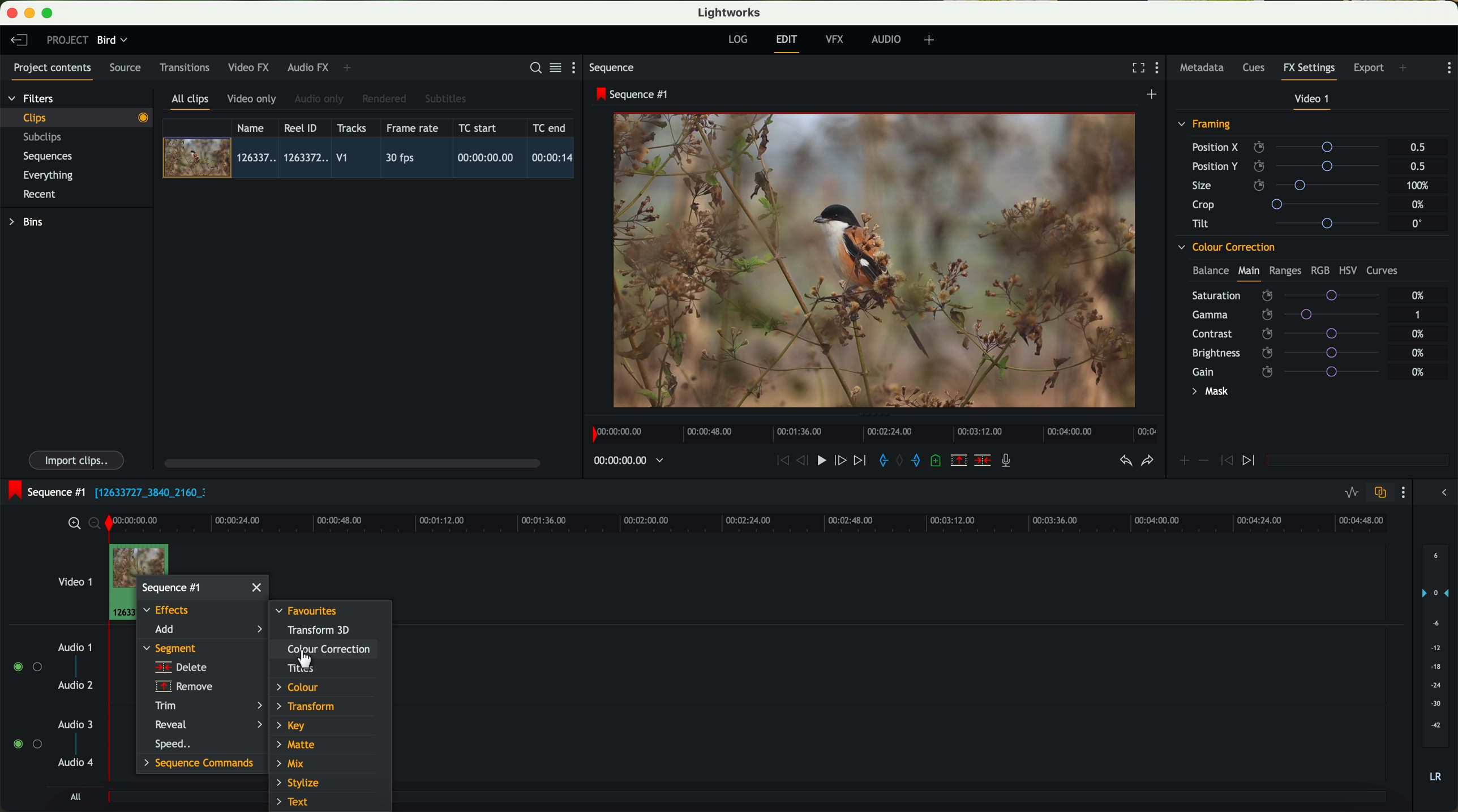 The width and height of the screenshot is (1458, 812). I want to click on audio only, so click(320, 99).